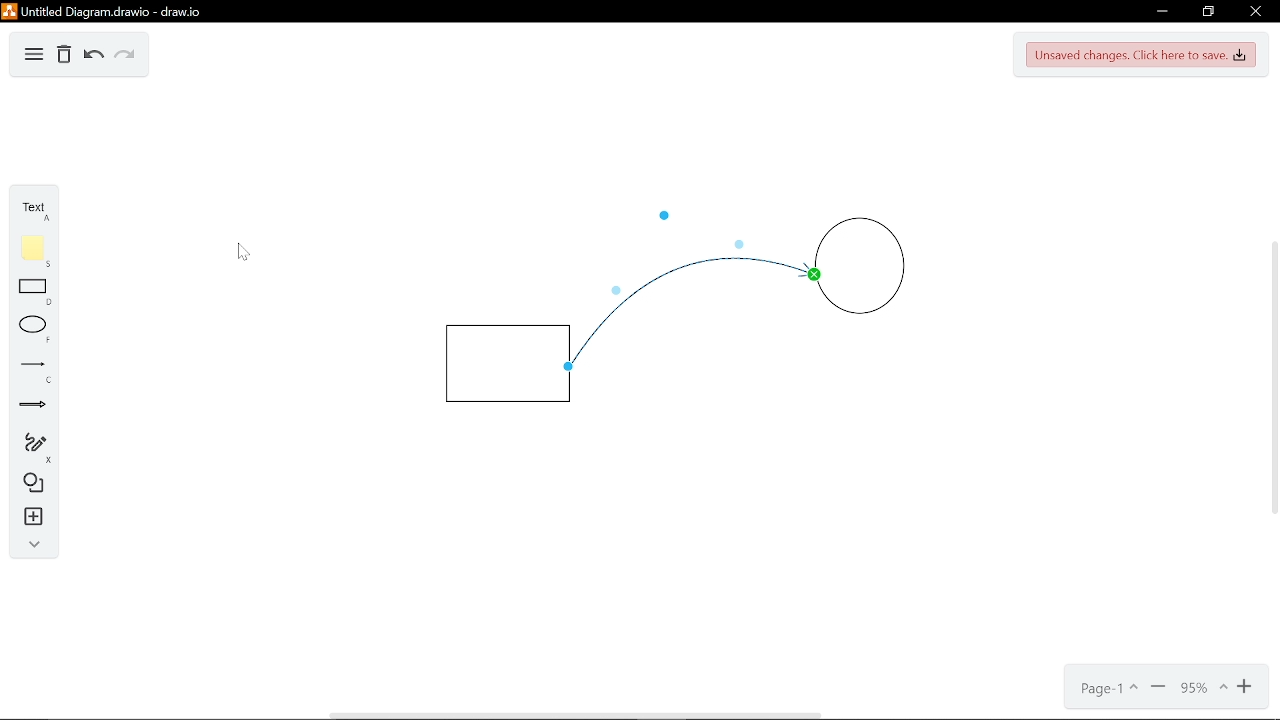 Image resolution: width=1280 pixels, height=720 pixels. I want to click on Undo, so click(92, 56).